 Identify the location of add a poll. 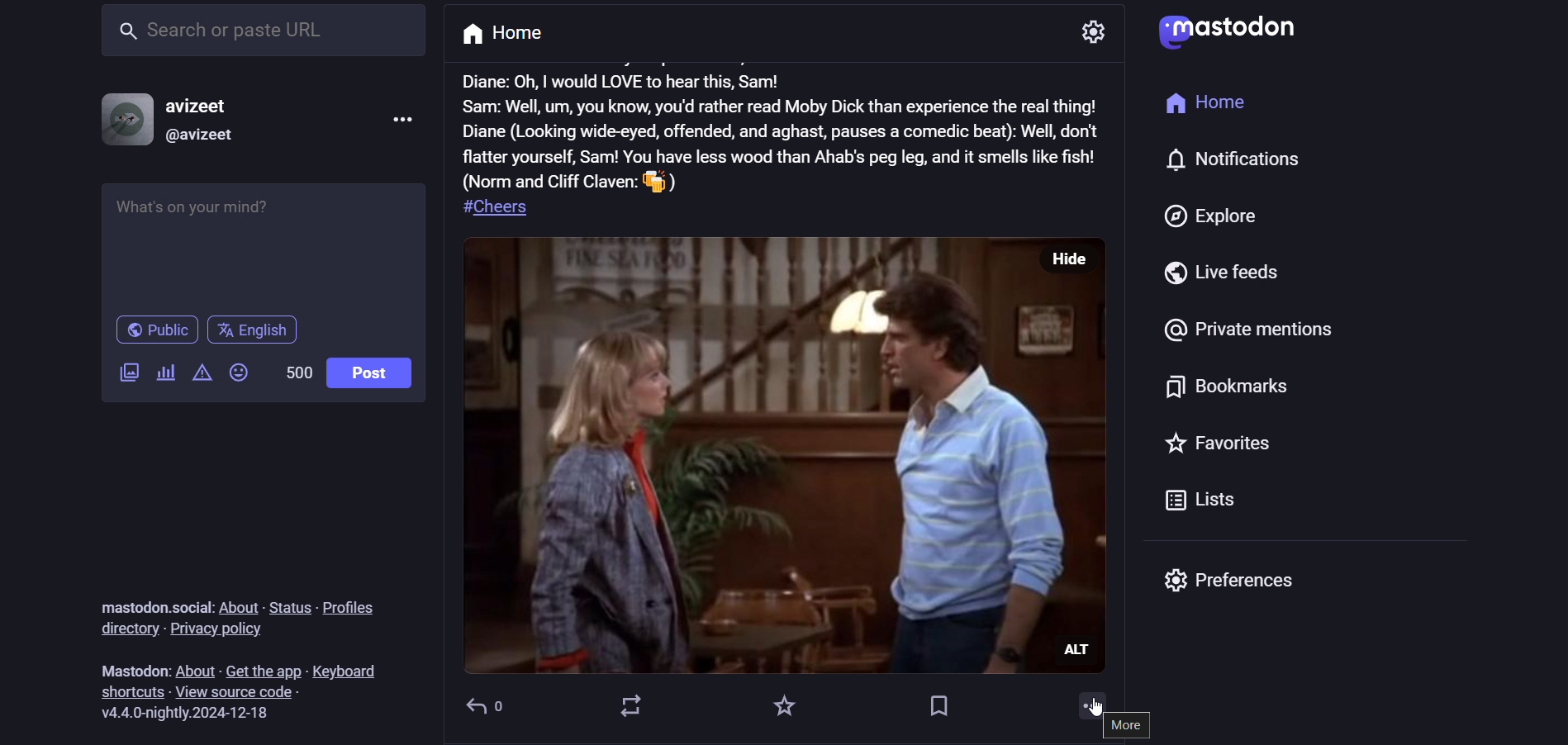
(165, 373).